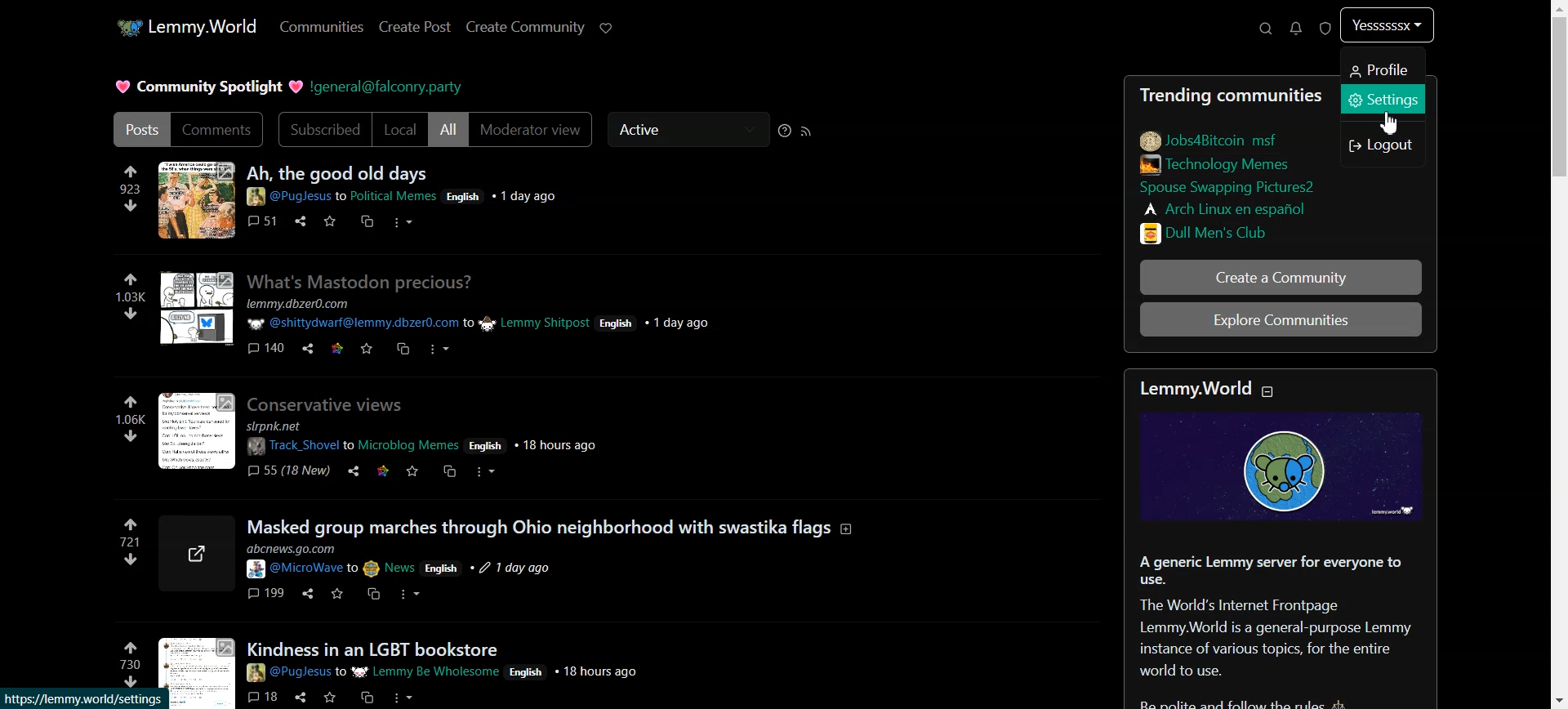 Image resolution: width=1568 pixels, height=709 pixels. What do you see at coordinates (365, 282) in the screenshot?
I see `` at bounding box center [365, 282].